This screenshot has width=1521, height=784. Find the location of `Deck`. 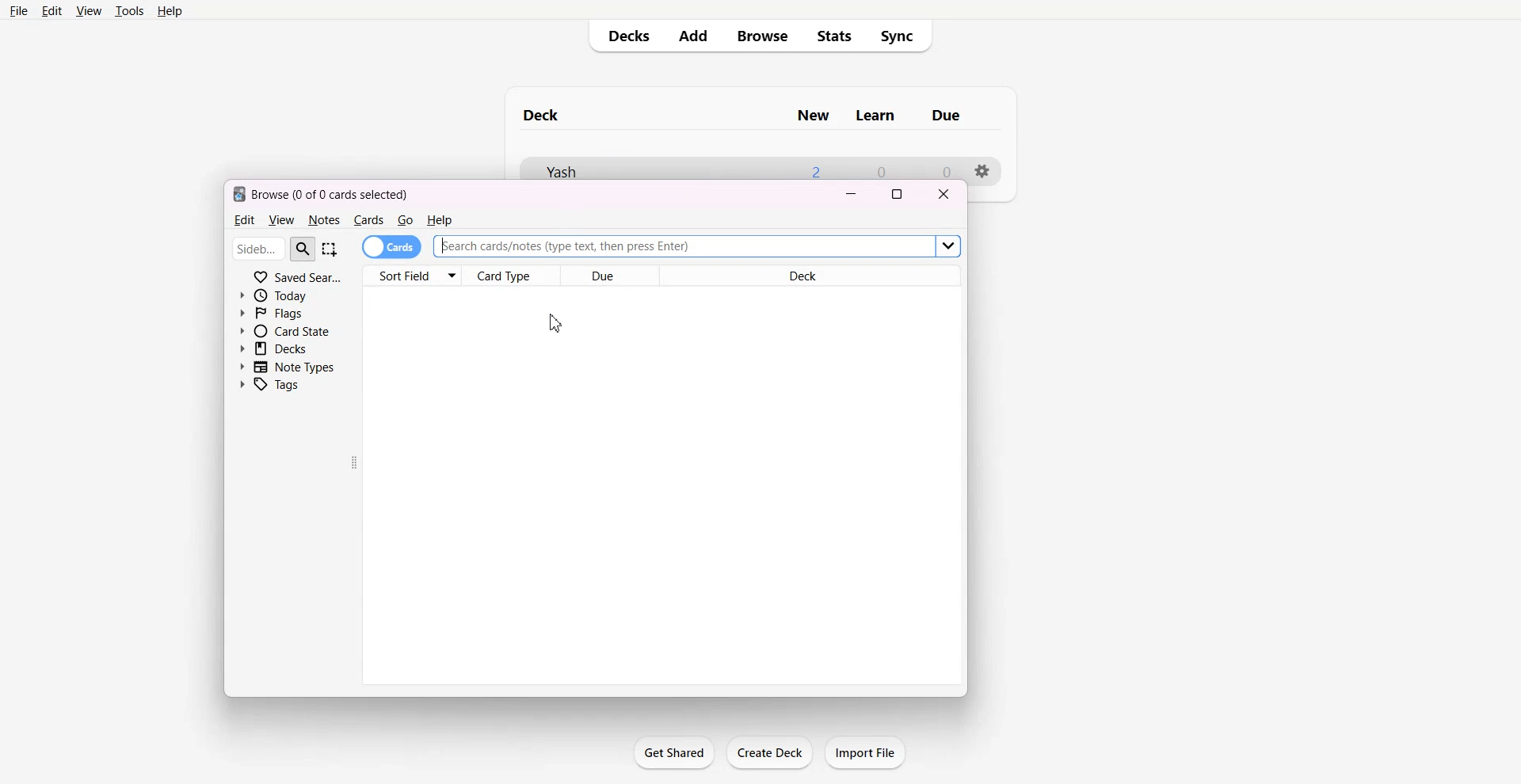

Deck is located at coordinates (810, 276).